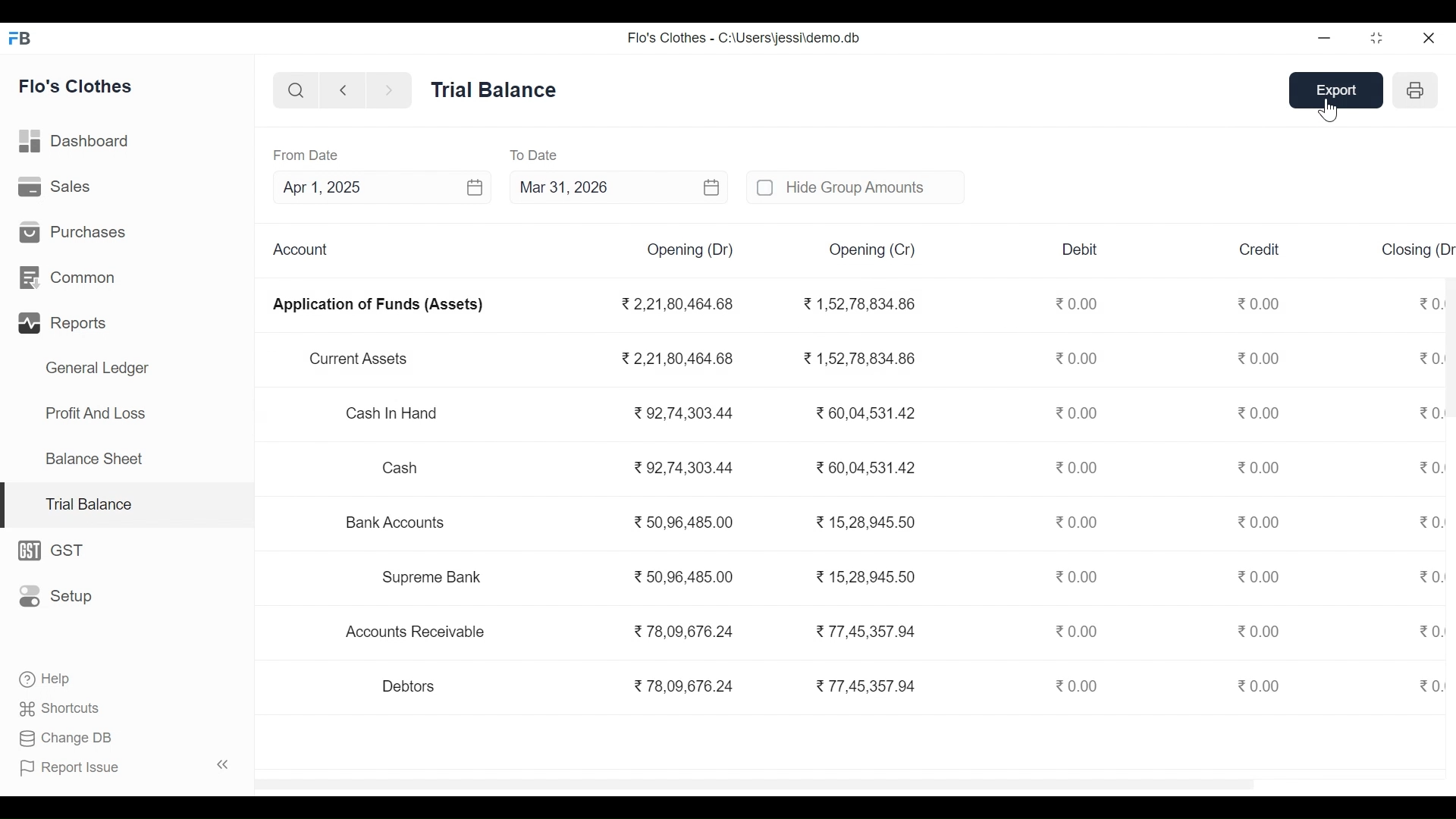 This screenshot has height=819, width=1456. What do you see at coordinates (682, 629) in the screenshot?
I see `78,09,676.24` at bounding box center [682, 629].